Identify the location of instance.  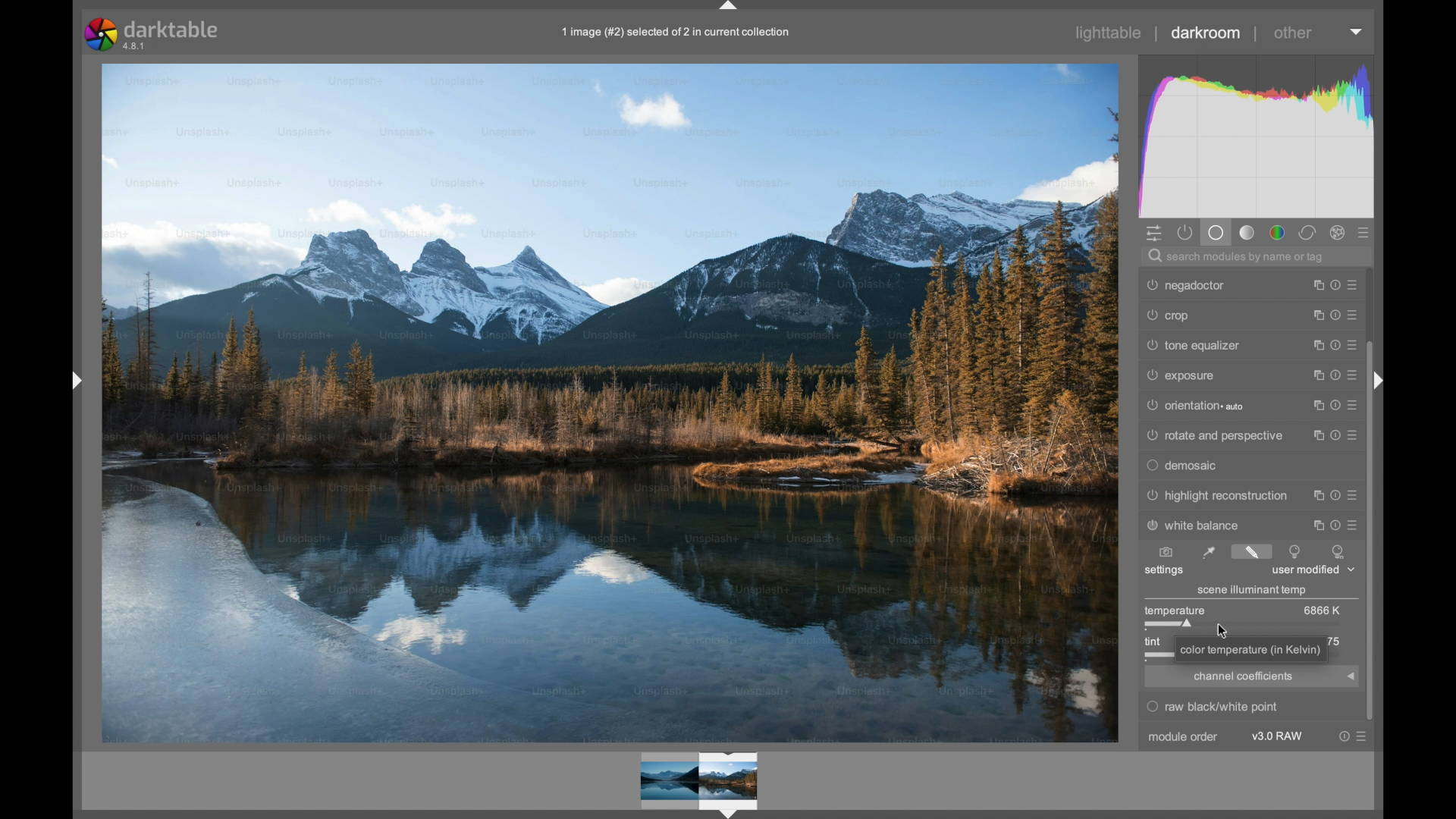
(1316, 522).